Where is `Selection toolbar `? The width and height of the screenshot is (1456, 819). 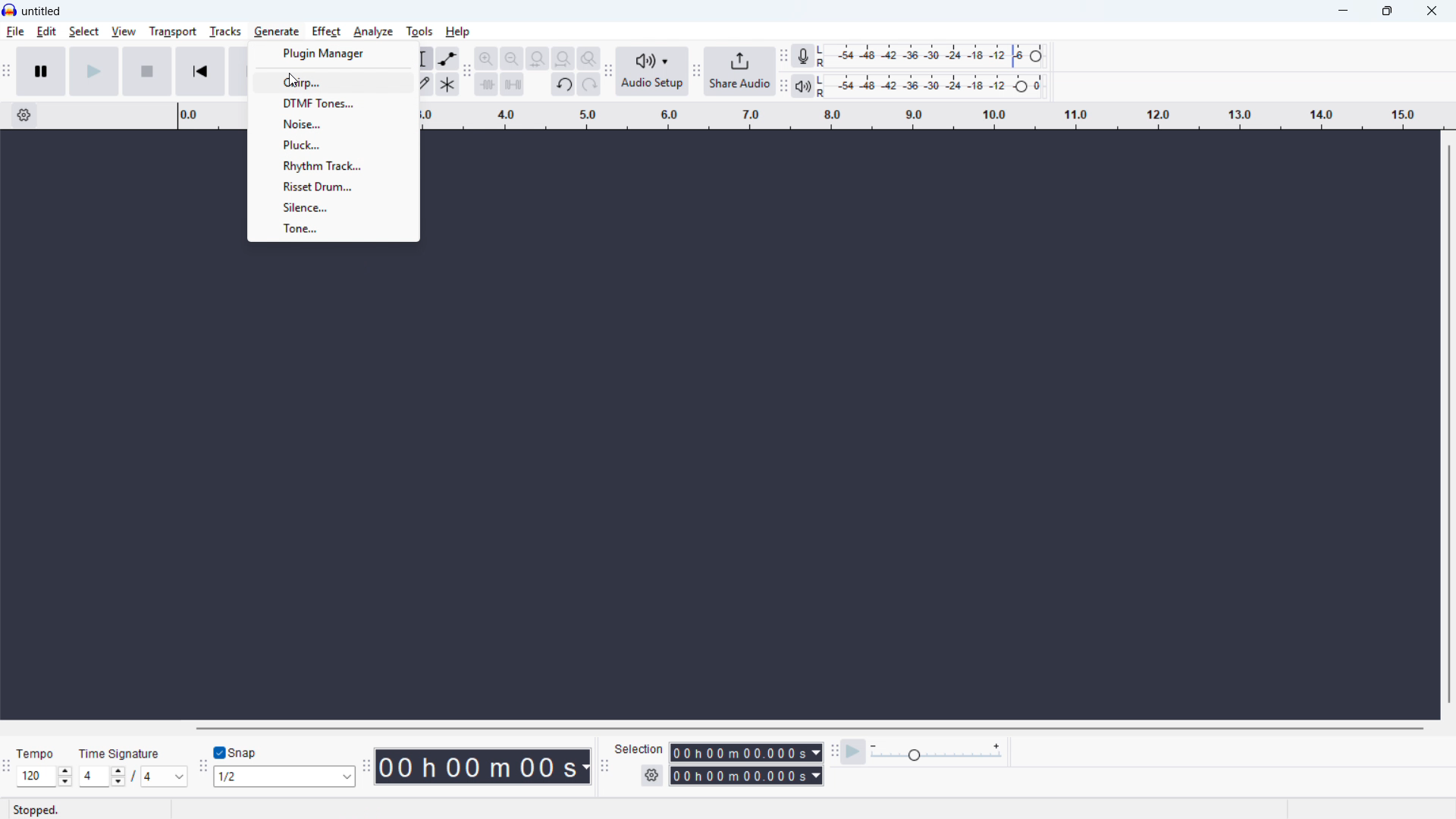 Selection toolbar  is located at coordinates (604, 764).